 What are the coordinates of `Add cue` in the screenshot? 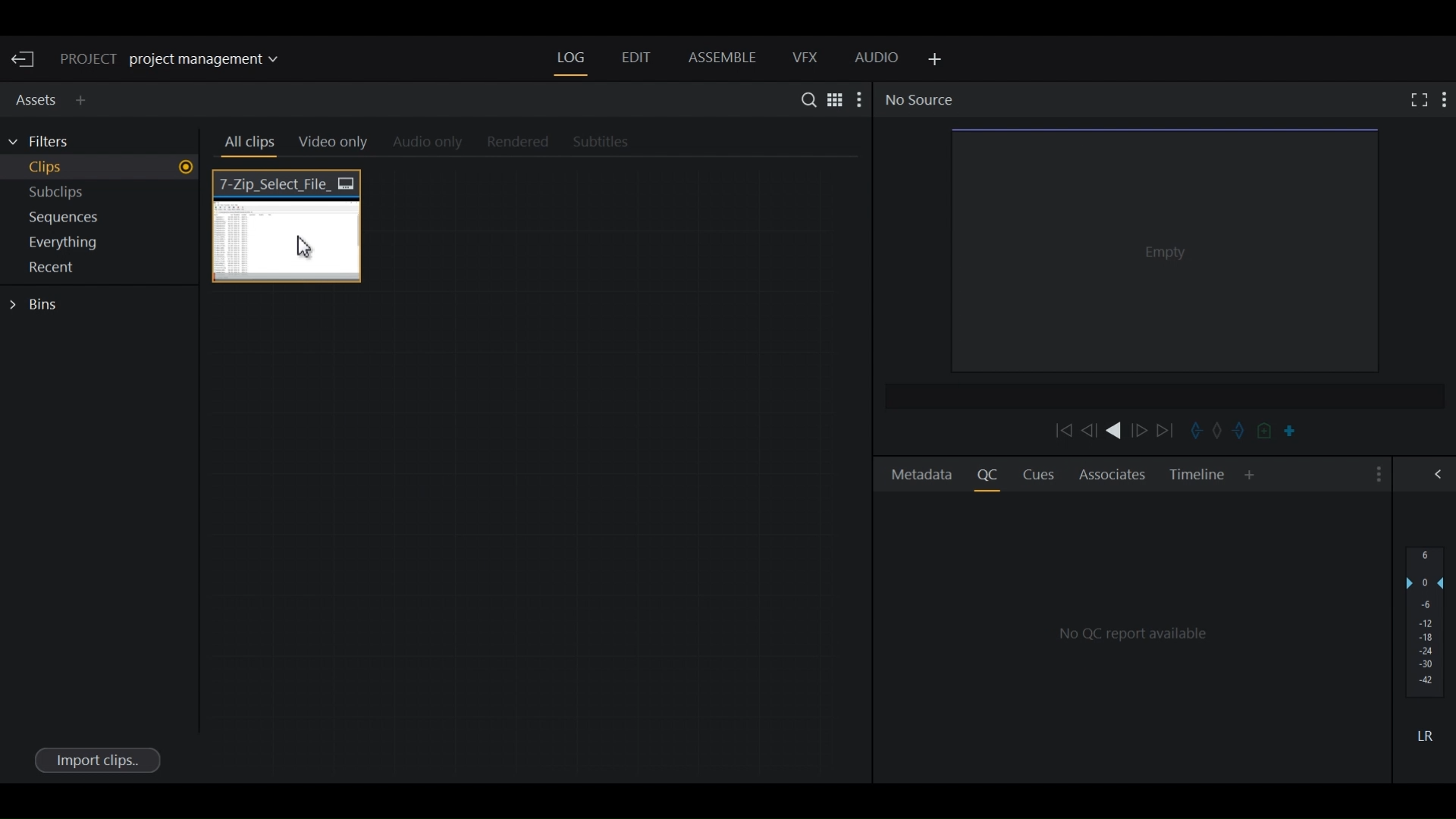 It's located at (1266, 432).